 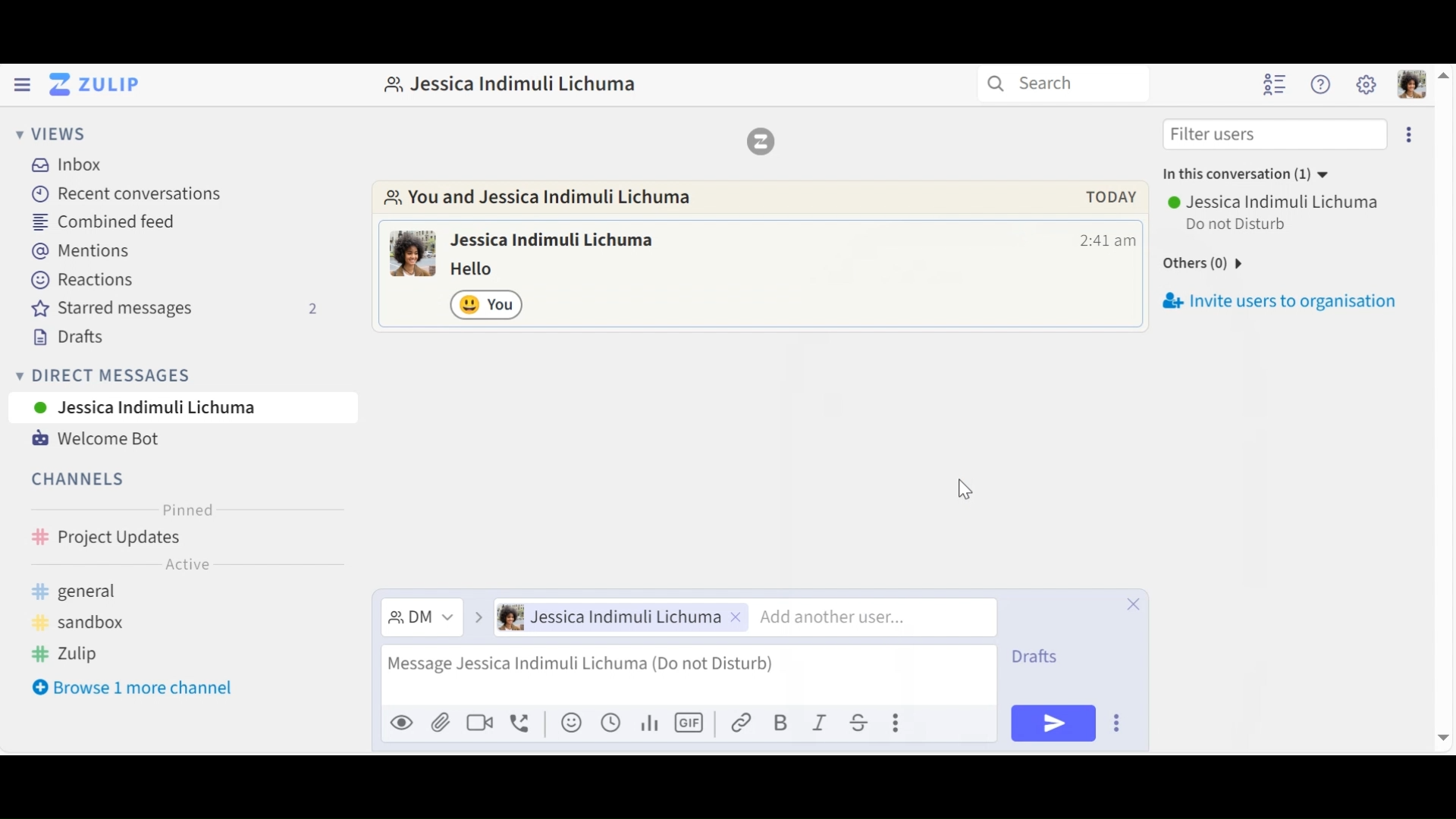 I want to click on Add user, so click(x=865, y=617).